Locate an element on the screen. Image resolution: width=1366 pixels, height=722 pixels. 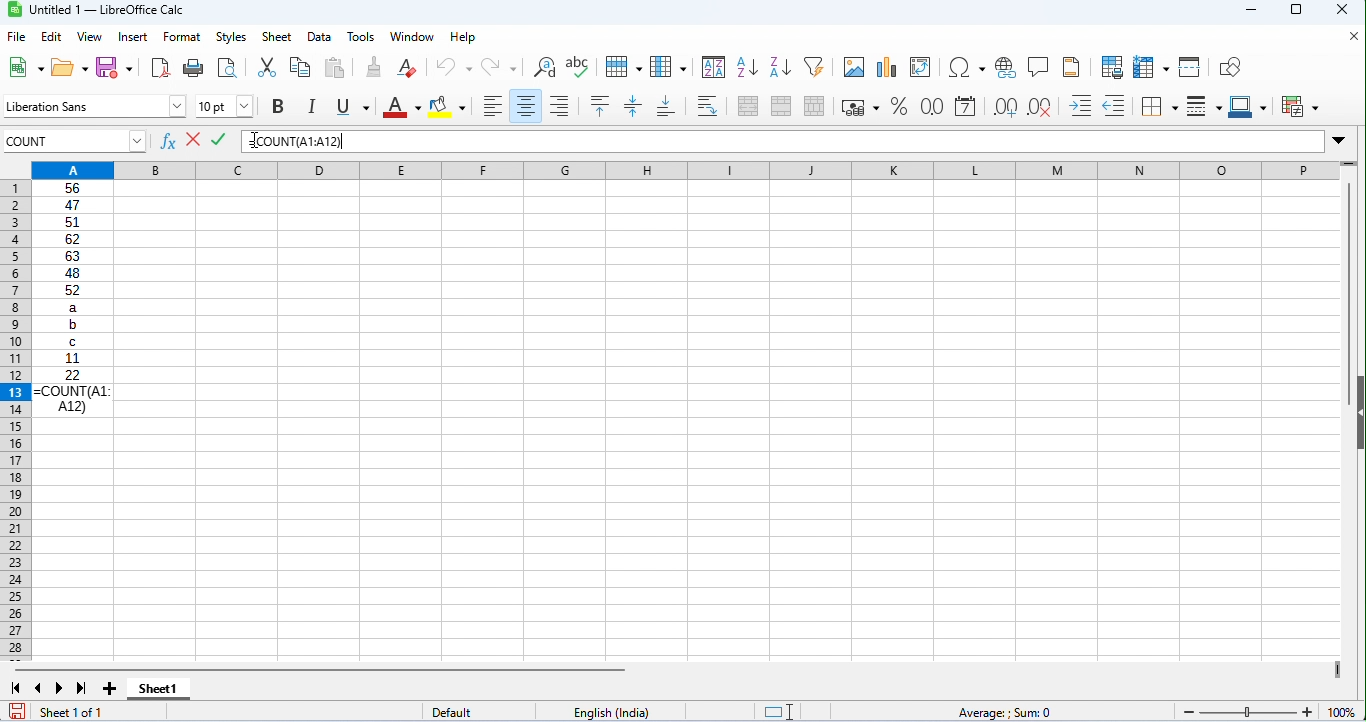
63 is located at coordinates (72, 256).